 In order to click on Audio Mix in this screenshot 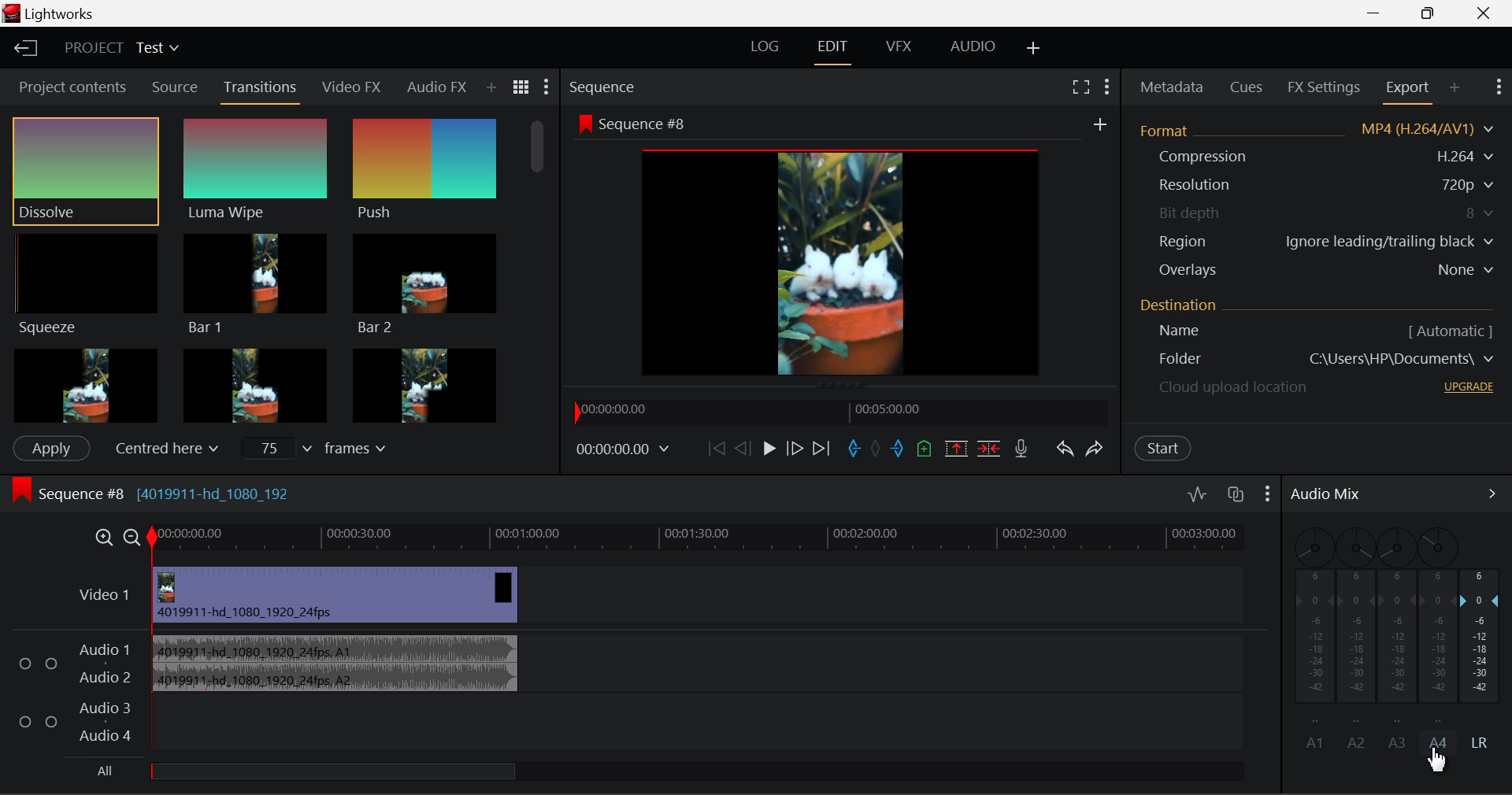, I will do `click(1327, 496)`.